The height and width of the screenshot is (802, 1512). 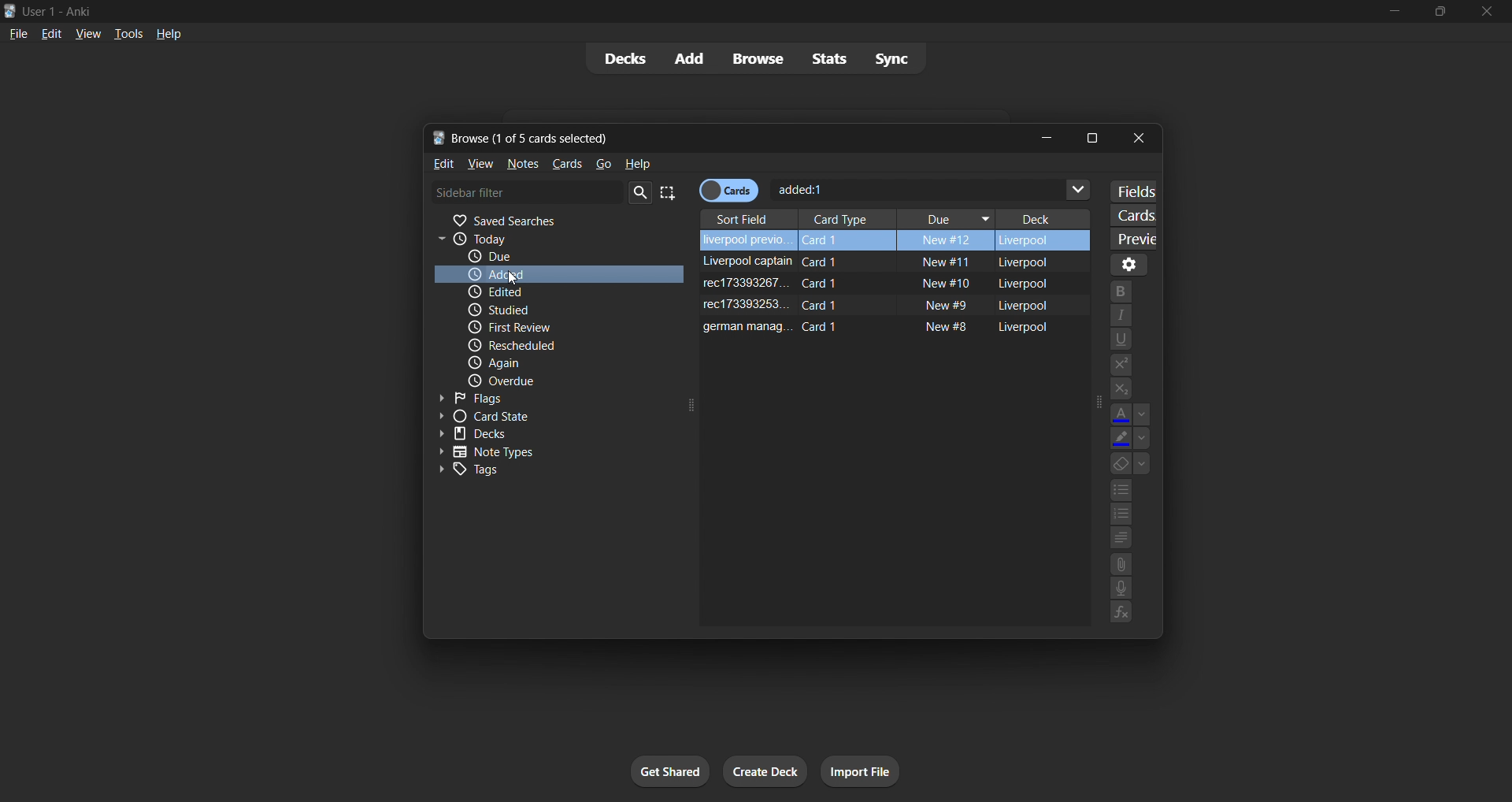 What do you see at coordinates (1097, 136) in the screenshot?
I see `maximize` at bounding box center [1097, 136].